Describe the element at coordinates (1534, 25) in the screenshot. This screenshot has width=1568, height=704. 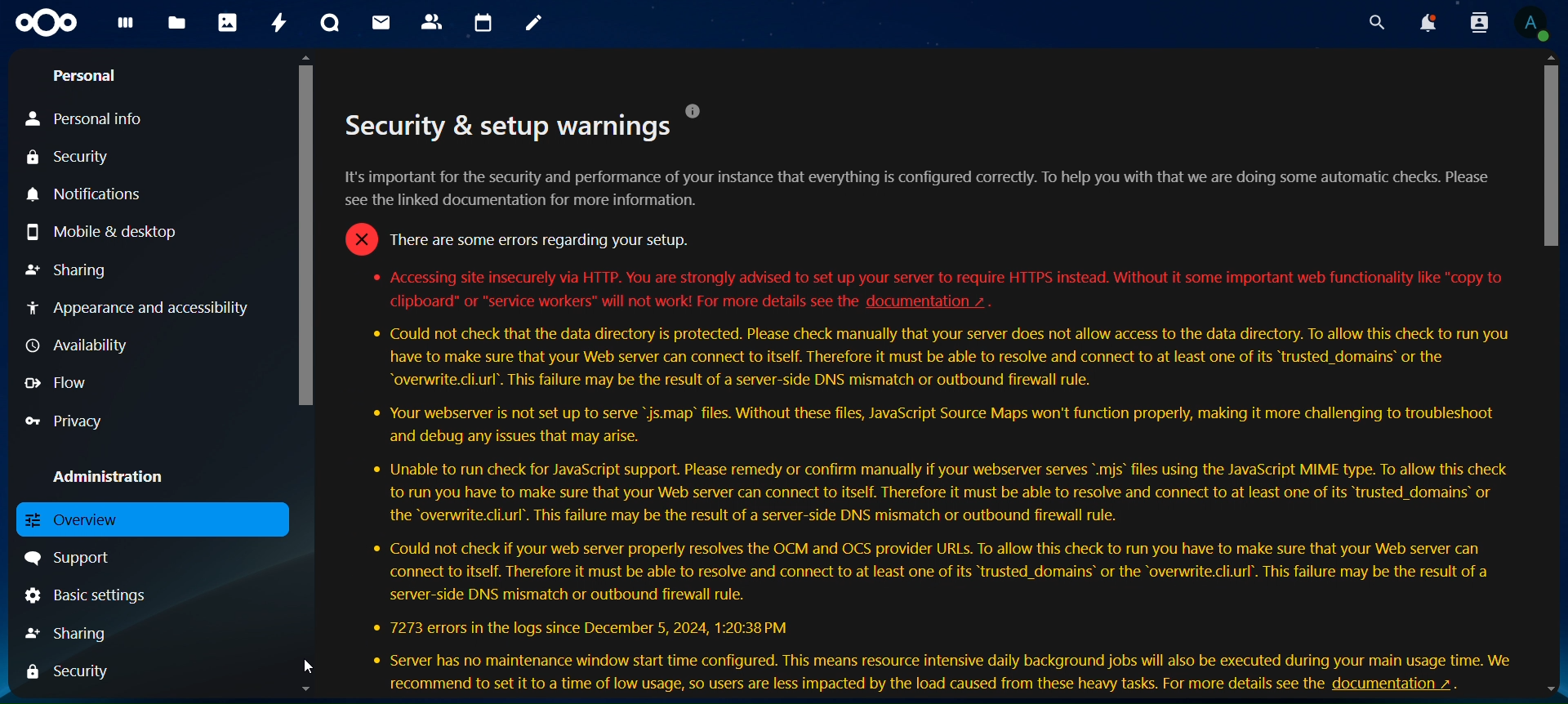
I see `view profile` at that location.